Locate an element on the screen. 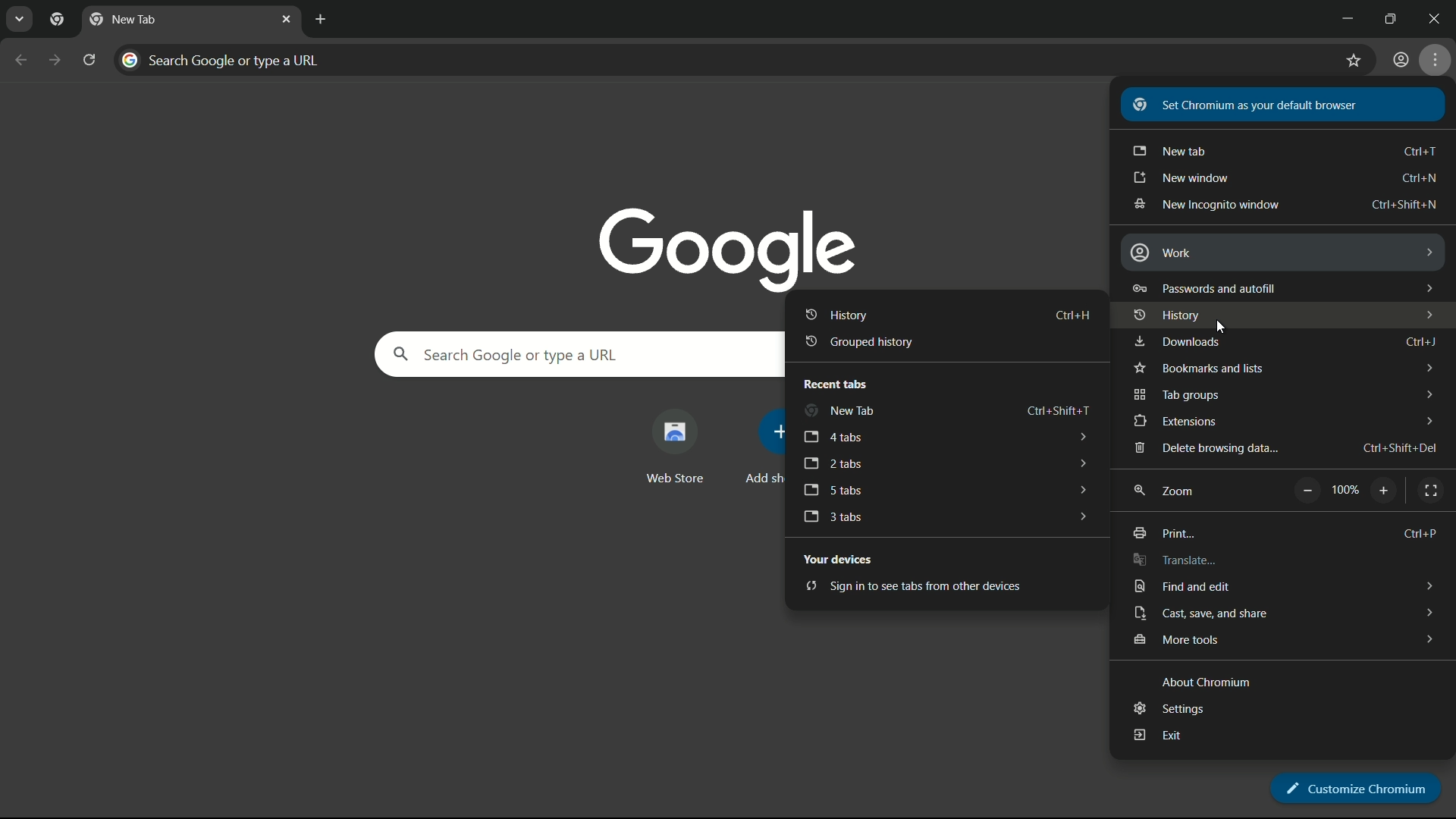  more tools is located at coordinates (1180, 640).